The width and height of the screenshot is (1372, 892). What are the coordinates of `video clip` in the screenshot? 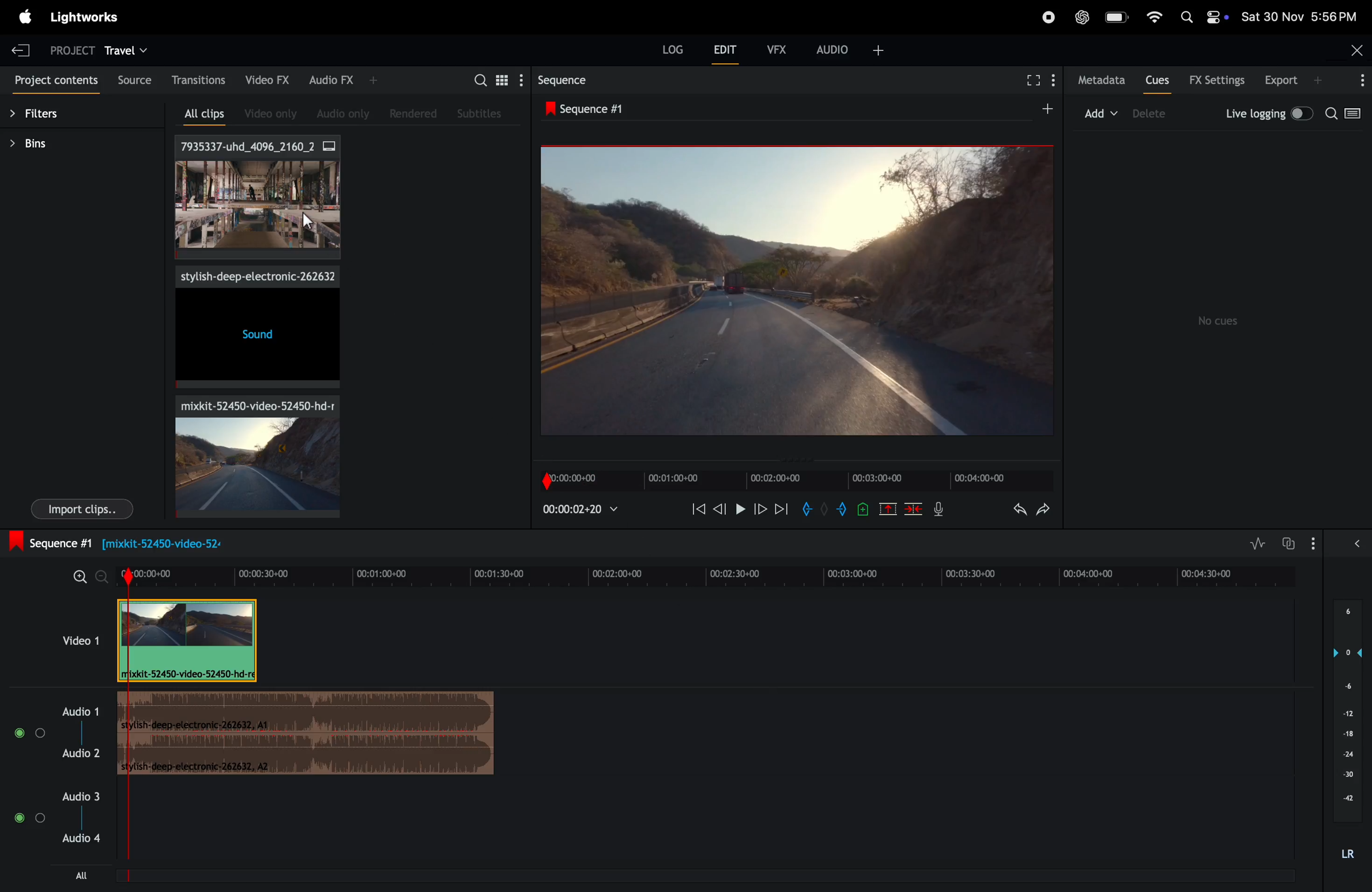 It's located at (250, 455).